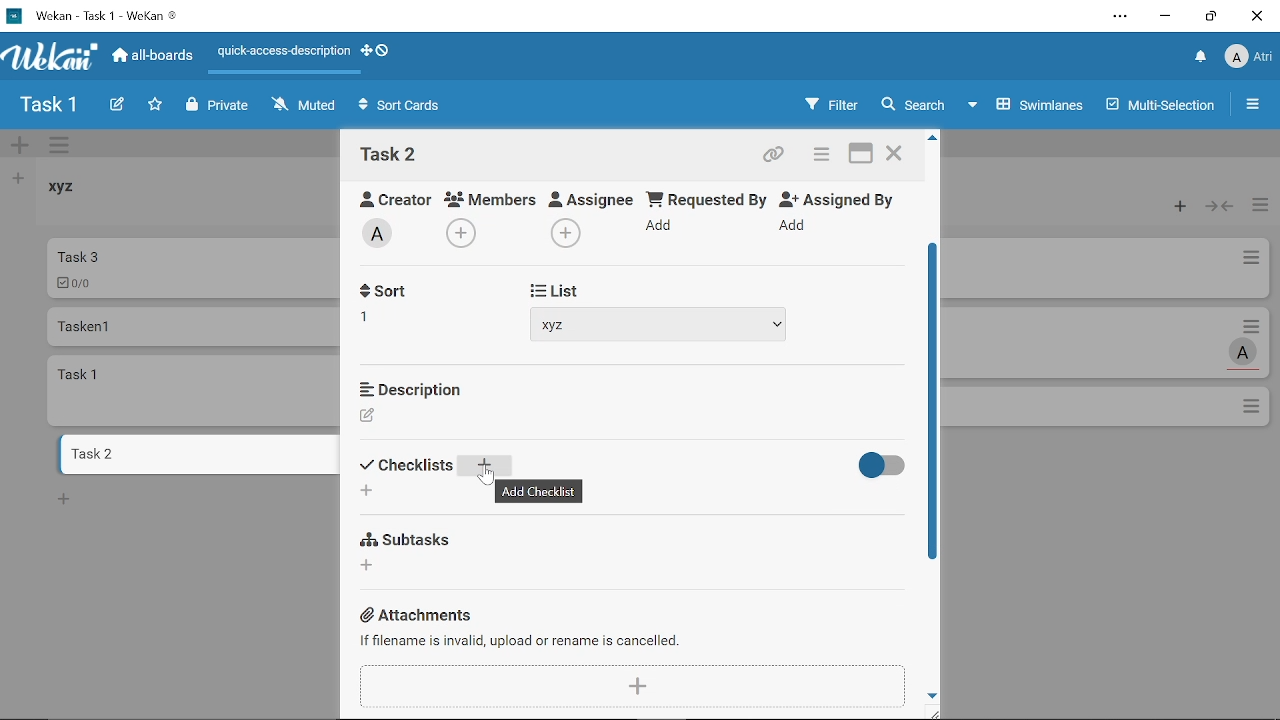 The width and height of the screenshot is (1280, 720). I want to click on Close, so click(1256, 16).